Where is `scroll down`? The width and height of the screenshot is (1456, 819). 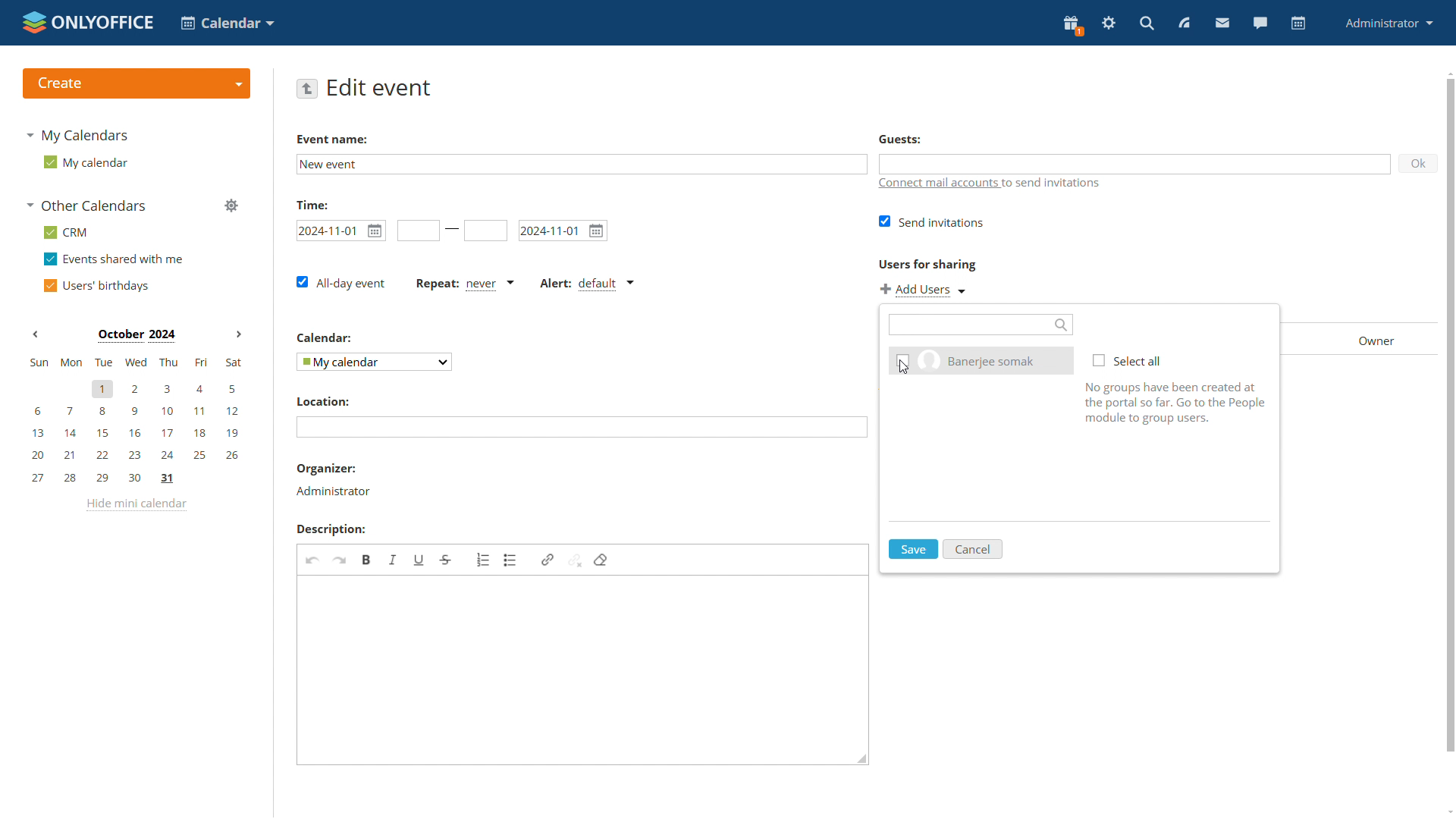
scroll down is located at coordinates (1449, 809).